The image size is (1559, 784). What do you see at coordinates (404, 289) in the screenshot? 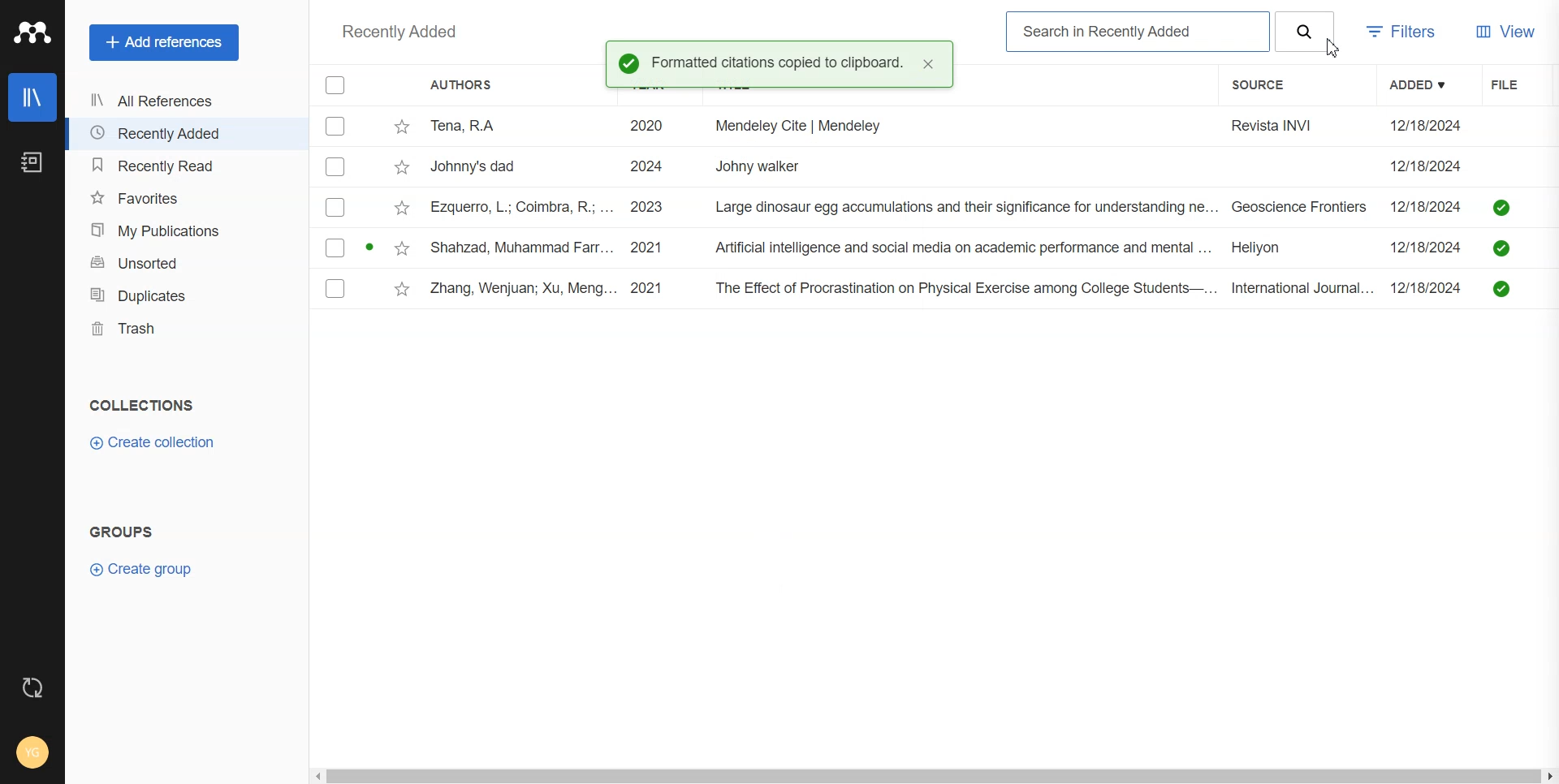
I see `Star` at bounding box center [404, 289].